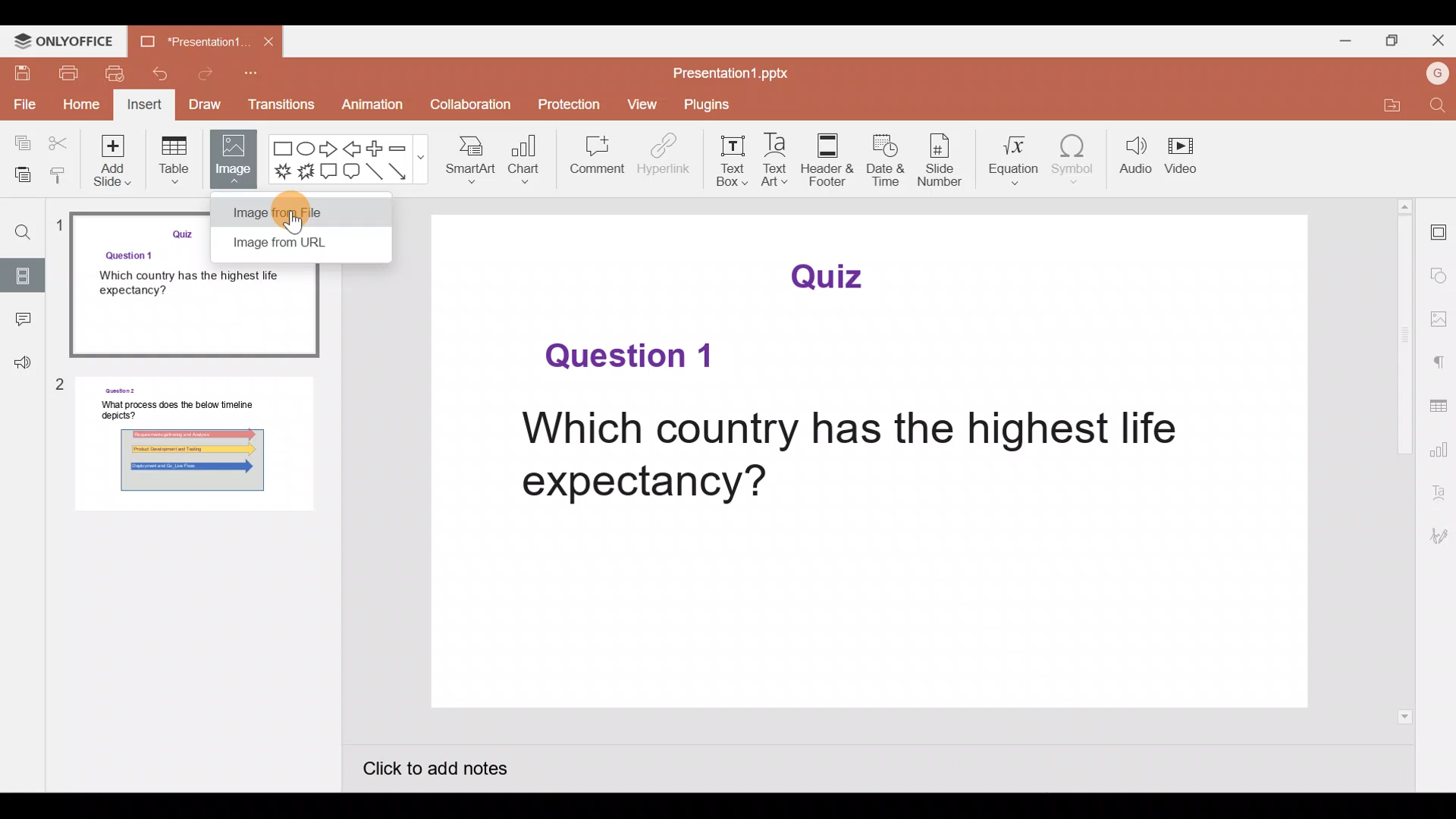  Describe the element at coordinates (279, 147) in the screenshot. I see `Rectangle` at that location.